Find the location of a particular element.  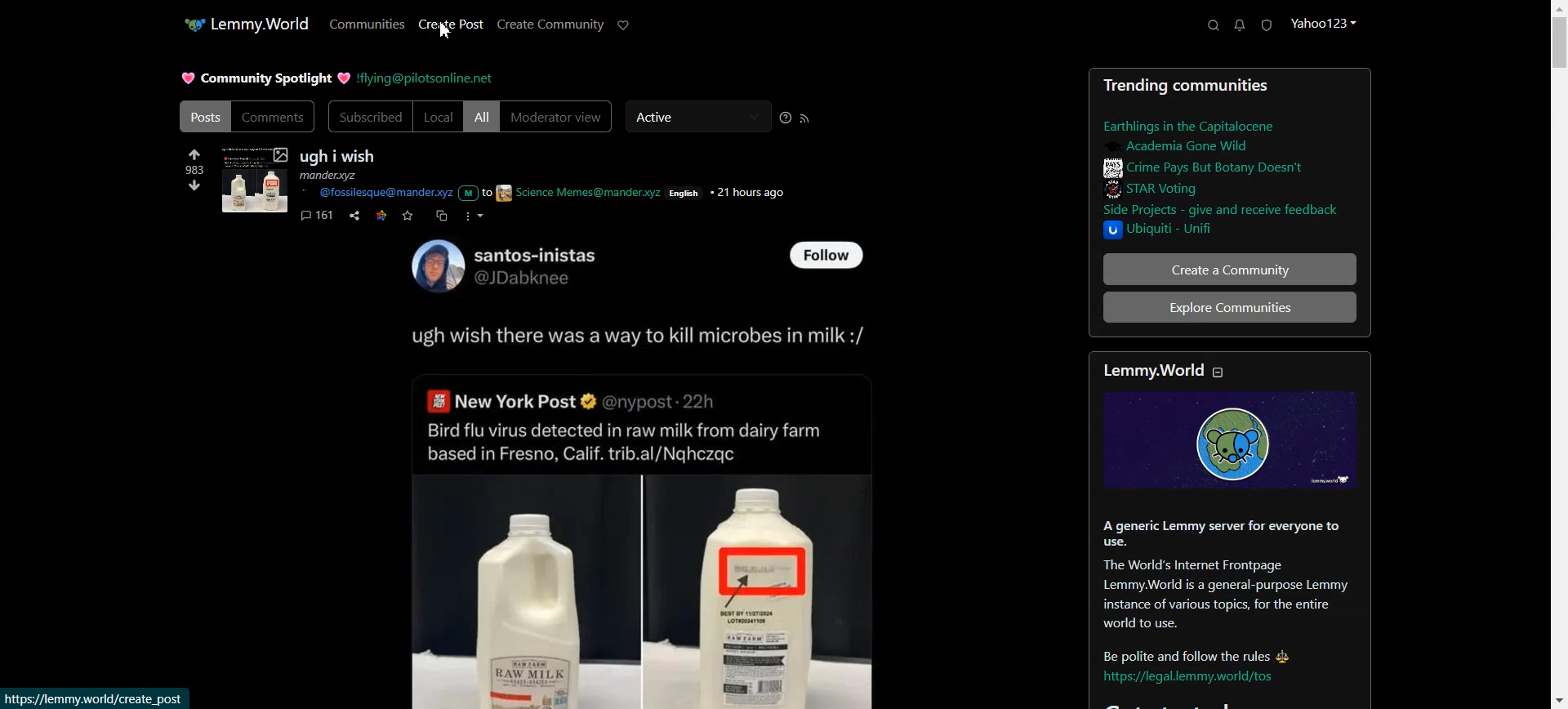

Posts is located at coordinates (203, 116).